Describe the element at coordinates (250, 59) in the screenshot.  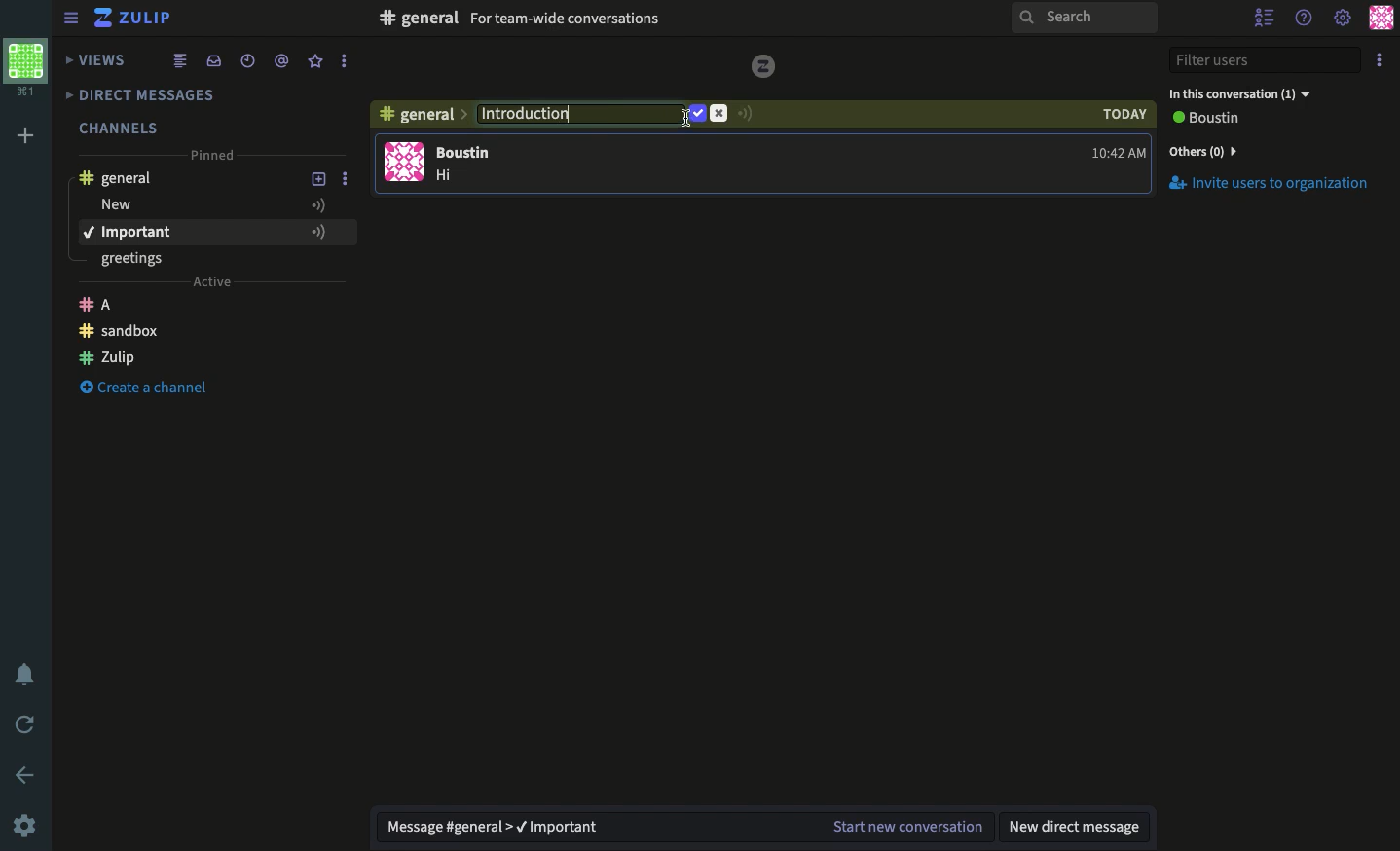
I see `Time` at that location.